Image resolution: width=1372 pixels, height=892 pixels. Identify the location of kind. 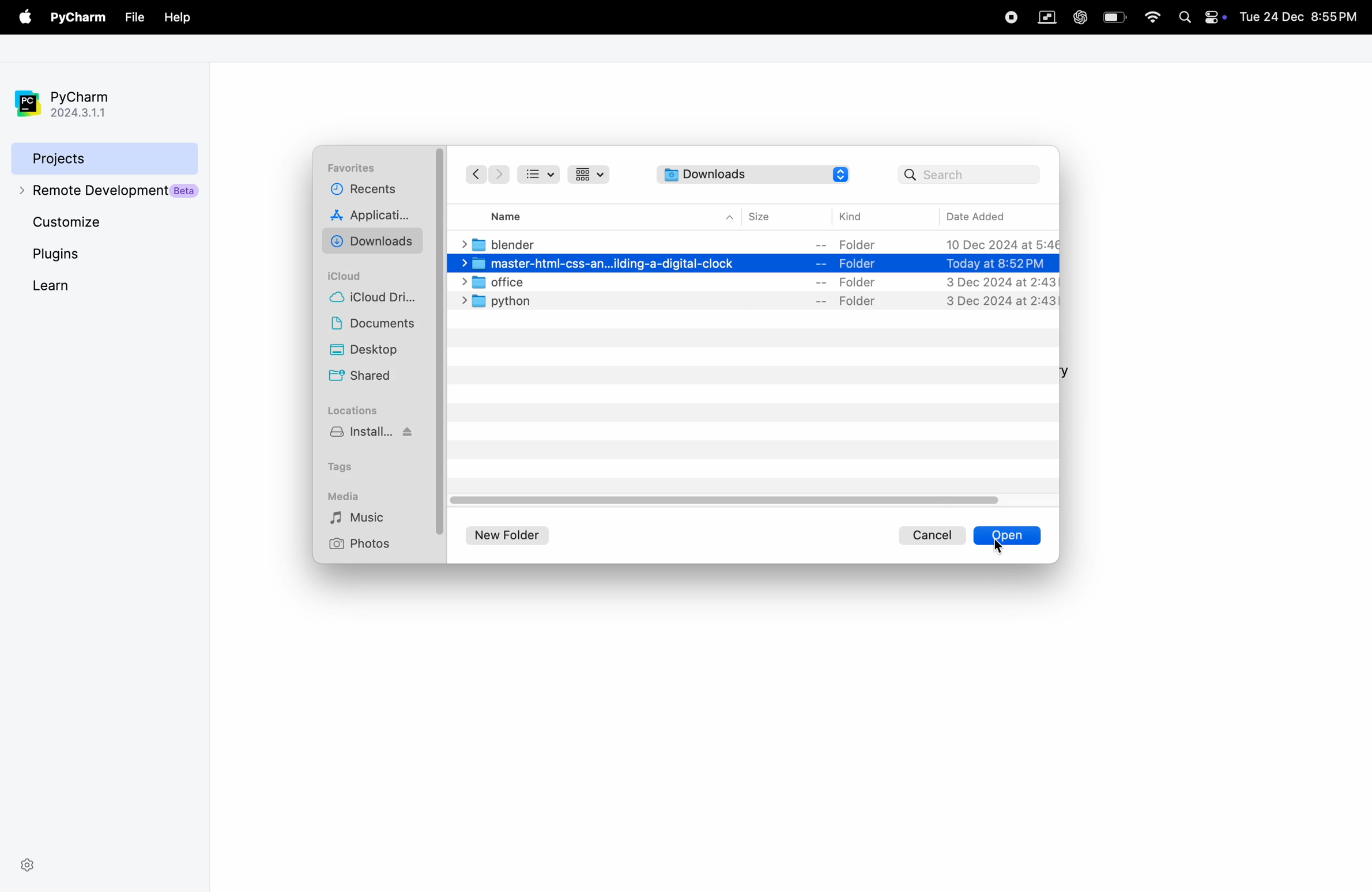
(854, 217).